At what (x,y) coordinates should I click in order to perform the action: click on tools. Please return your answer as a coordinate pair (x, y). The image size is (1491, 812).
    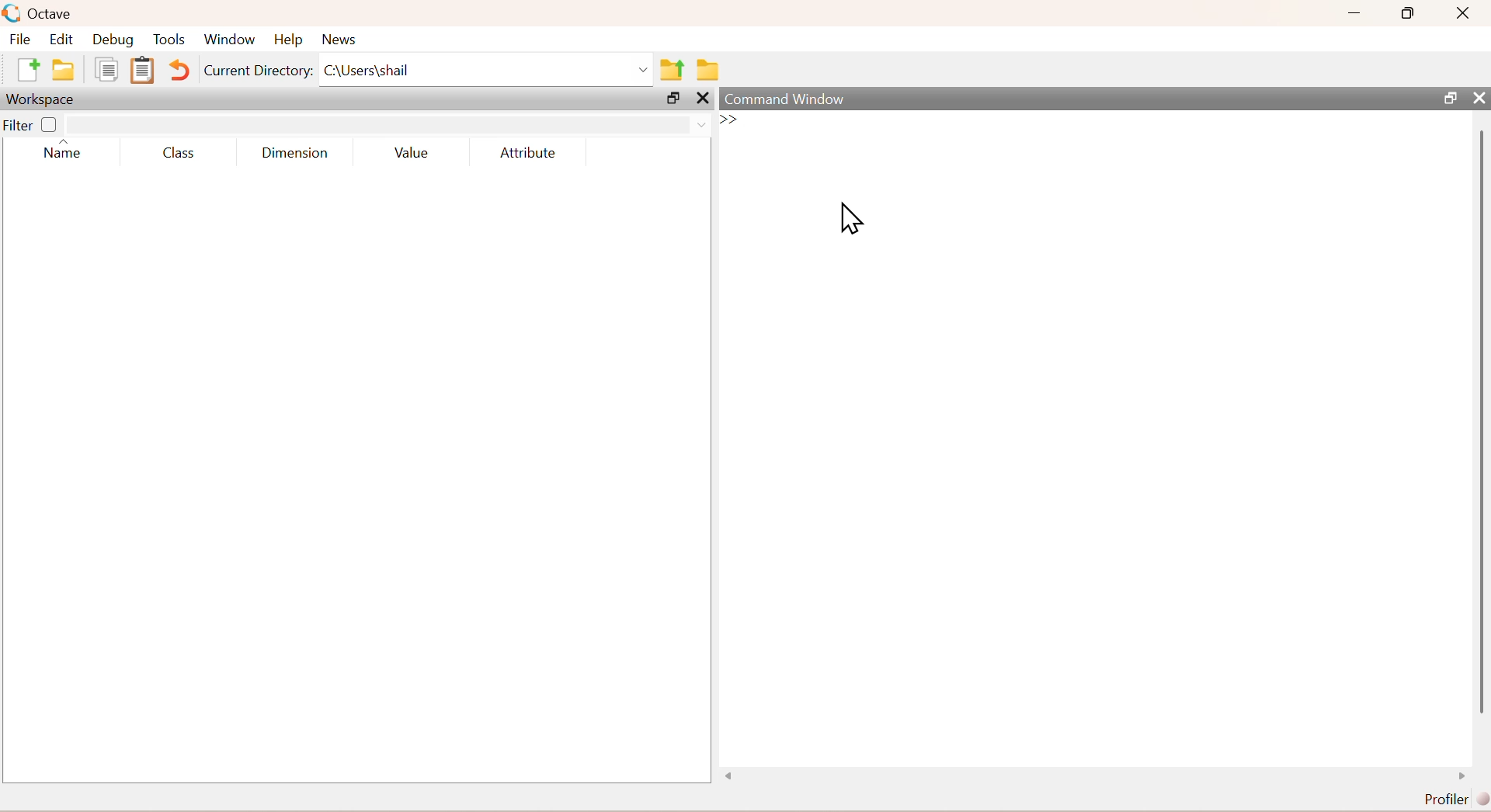
    Looking at the image, I should click on (171, 39).